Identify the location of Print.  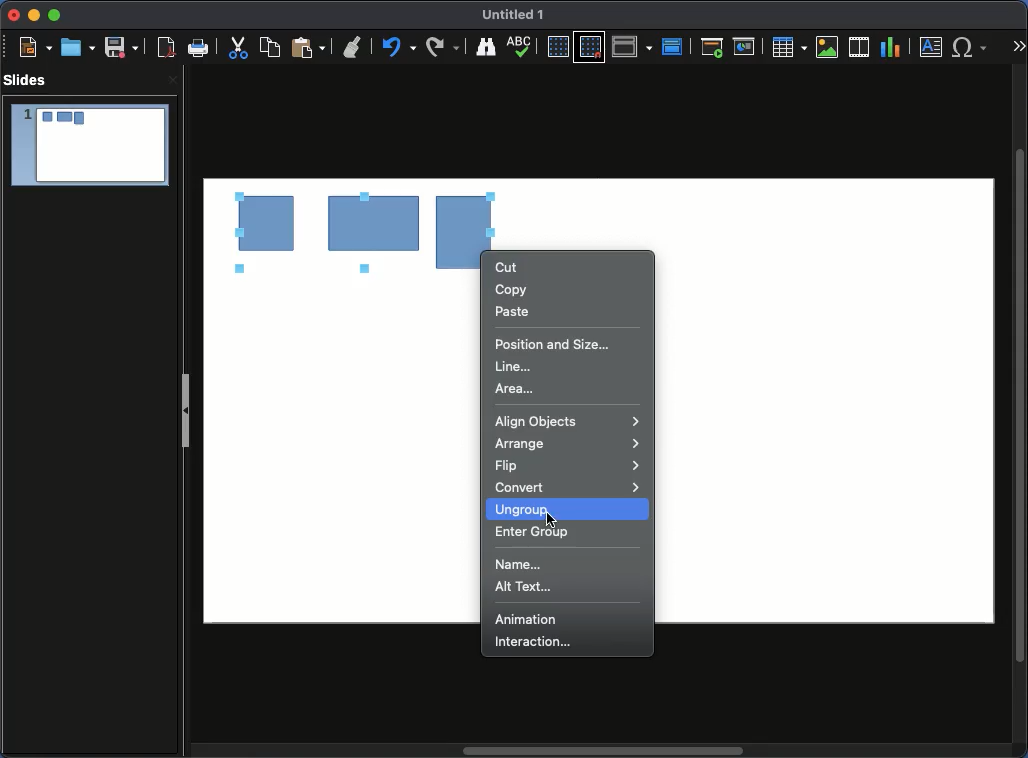
(198, 46).